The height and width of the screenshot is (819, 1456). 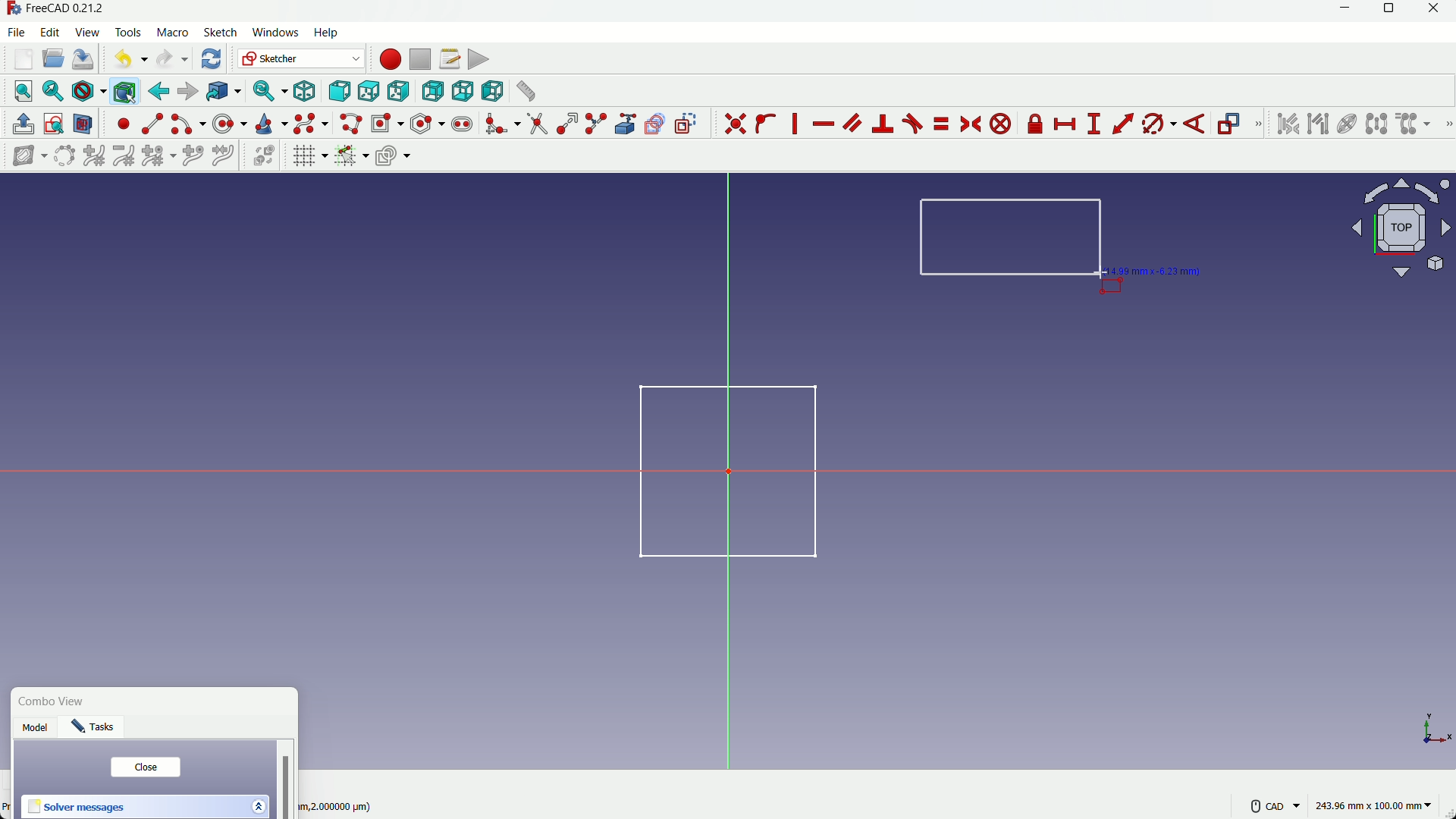 What do you see at coordinates (61, 157) in the screenshot?
I see `convert geometry to B spiline` at bounding box center [61, 157].